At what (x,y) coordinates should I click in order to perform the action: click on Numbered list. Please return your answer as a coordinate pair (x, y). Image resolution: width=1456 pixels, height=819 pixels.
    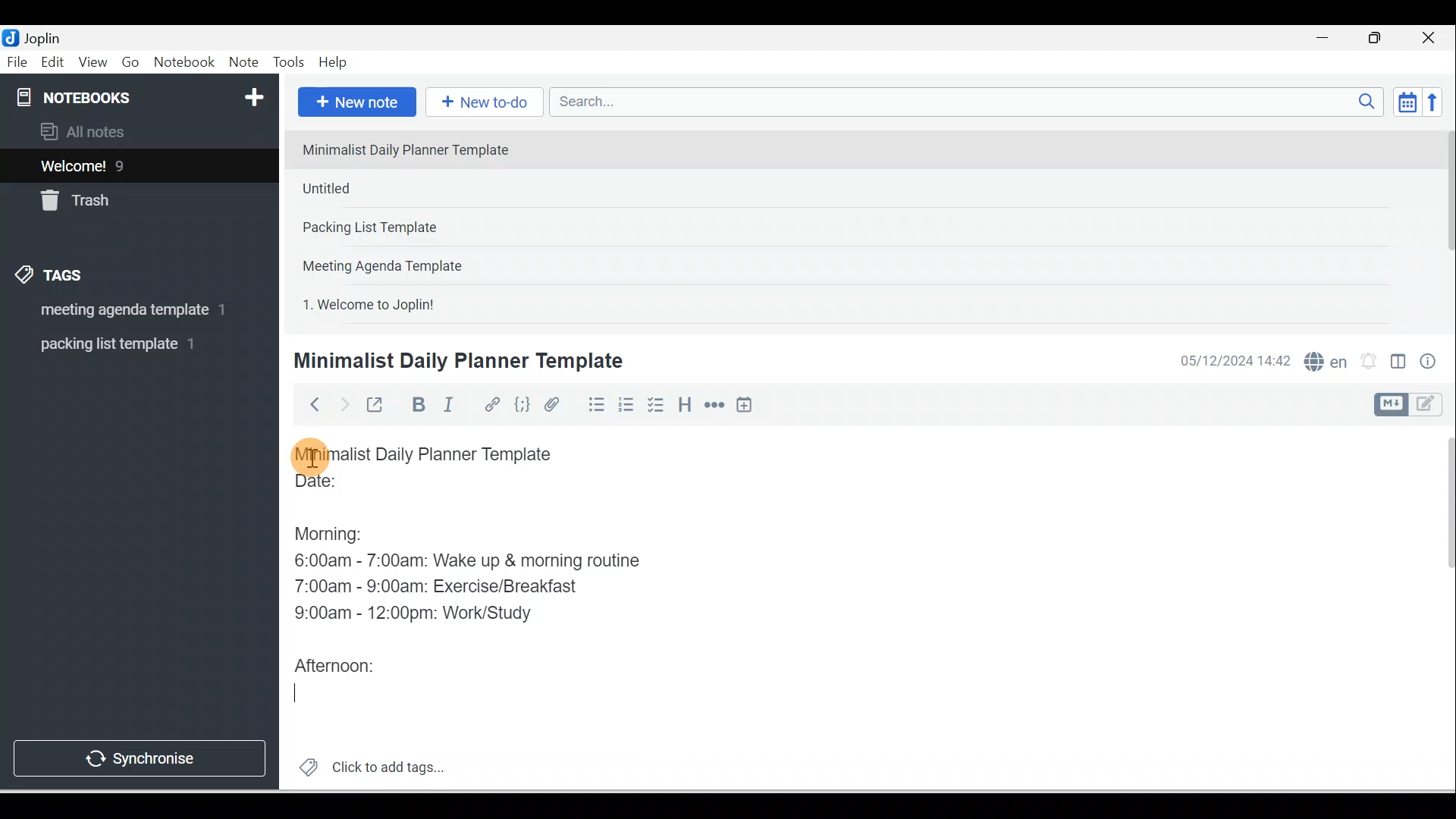
    Looking at the image, I should click on (626, 404).